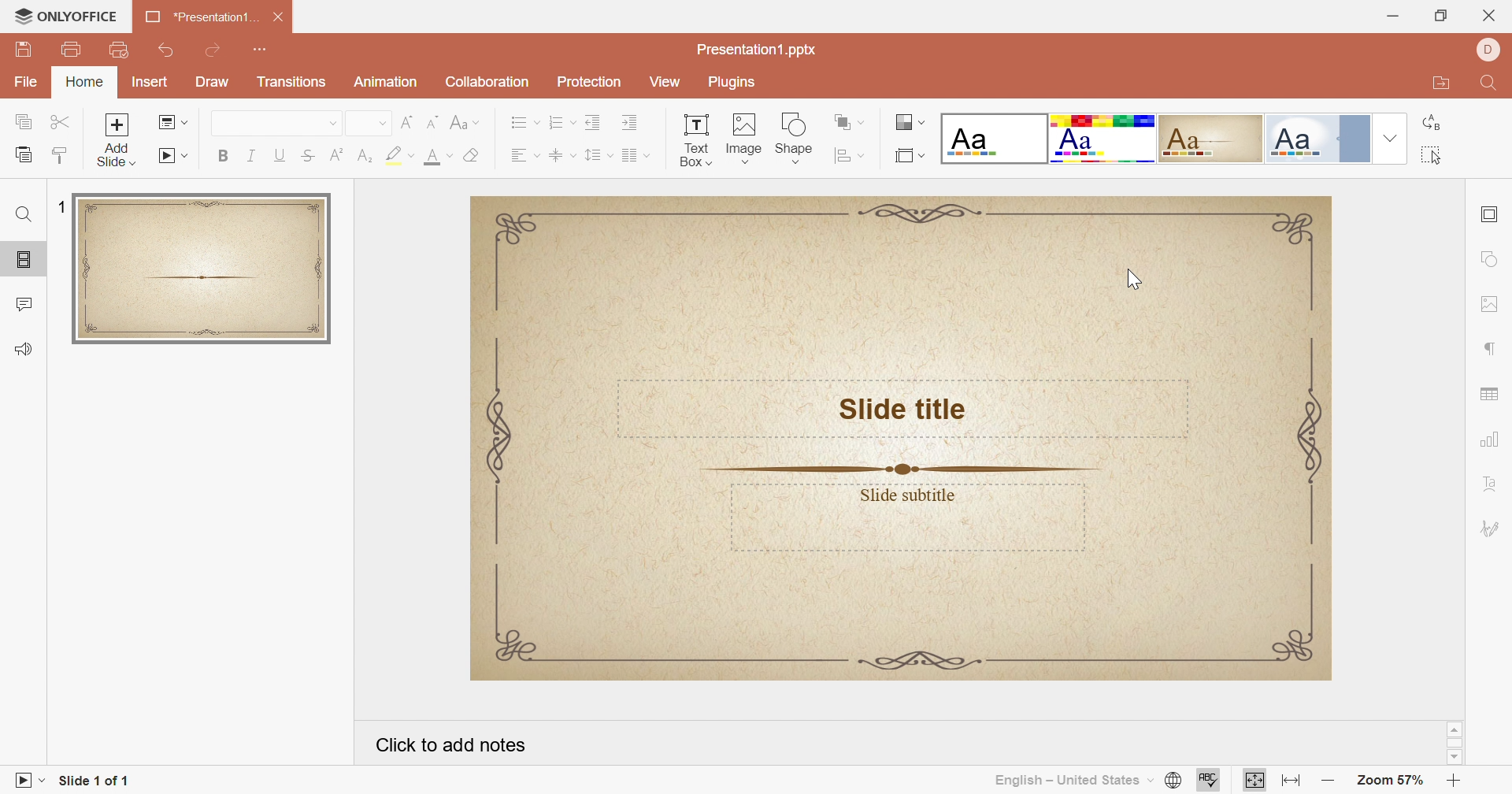  Describe the element at coordinates (1489, 531) in the screenshot. I see `Signature settings` at that location.